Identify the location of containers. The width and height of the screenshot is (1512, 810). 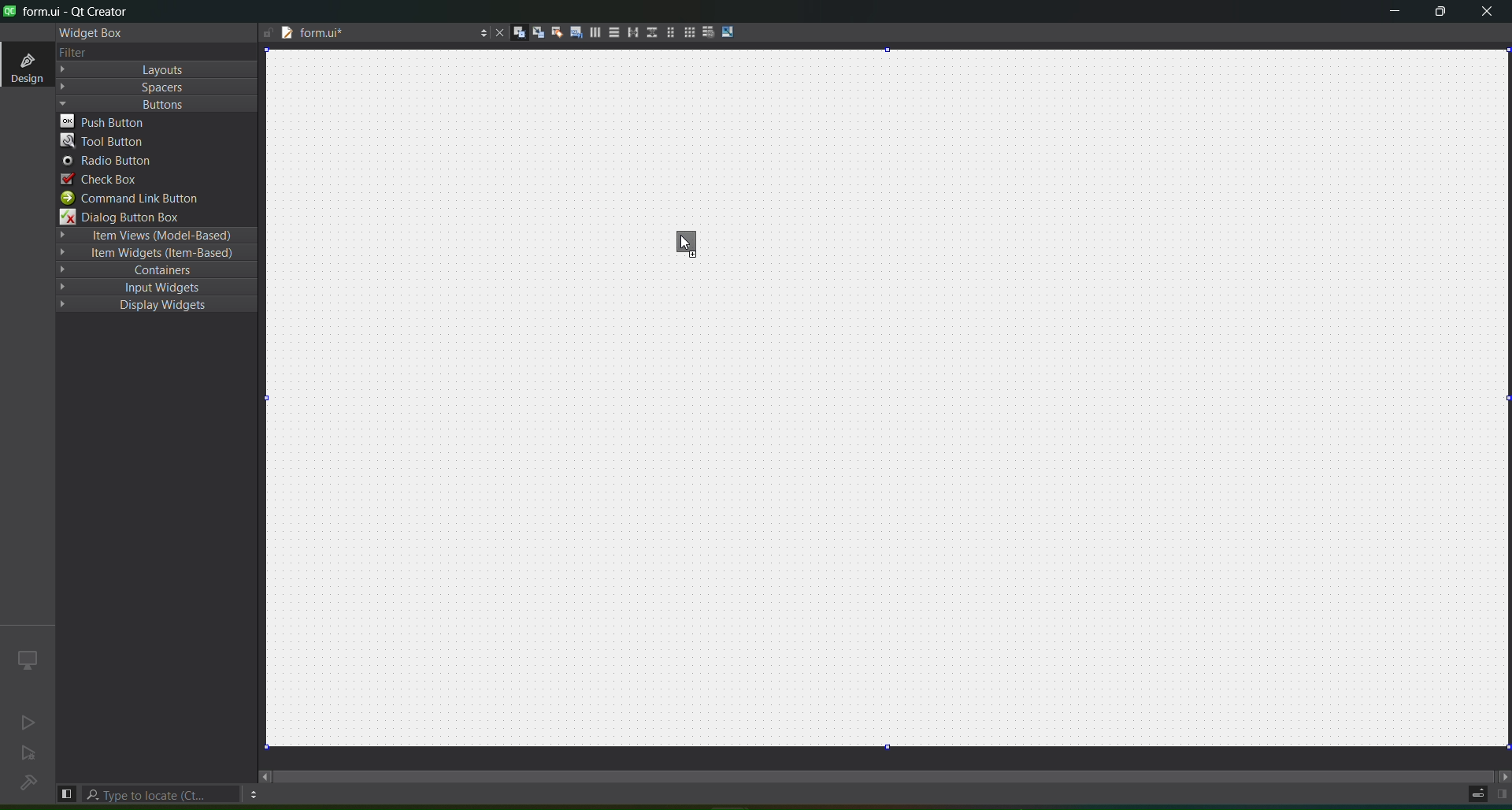
(157, 272).